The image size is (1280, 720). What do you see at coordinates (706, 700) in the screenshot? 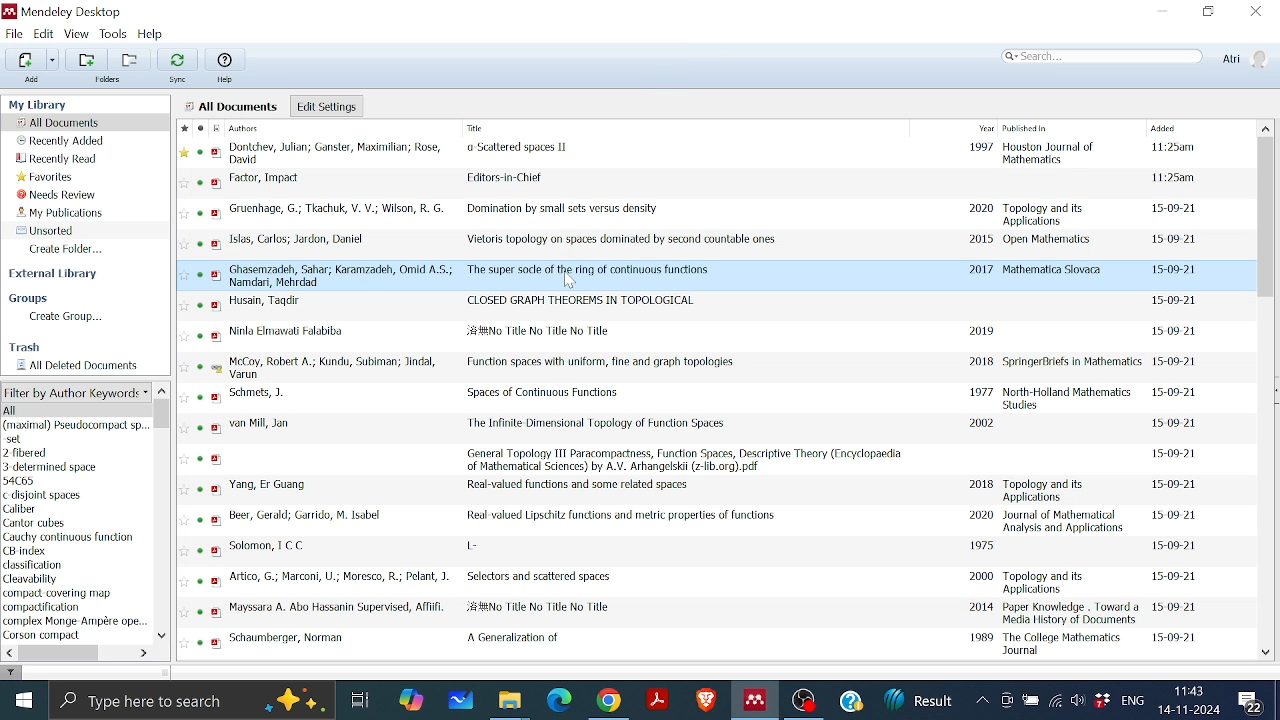
I see `Brave browser` at bounding box center [706, 700].